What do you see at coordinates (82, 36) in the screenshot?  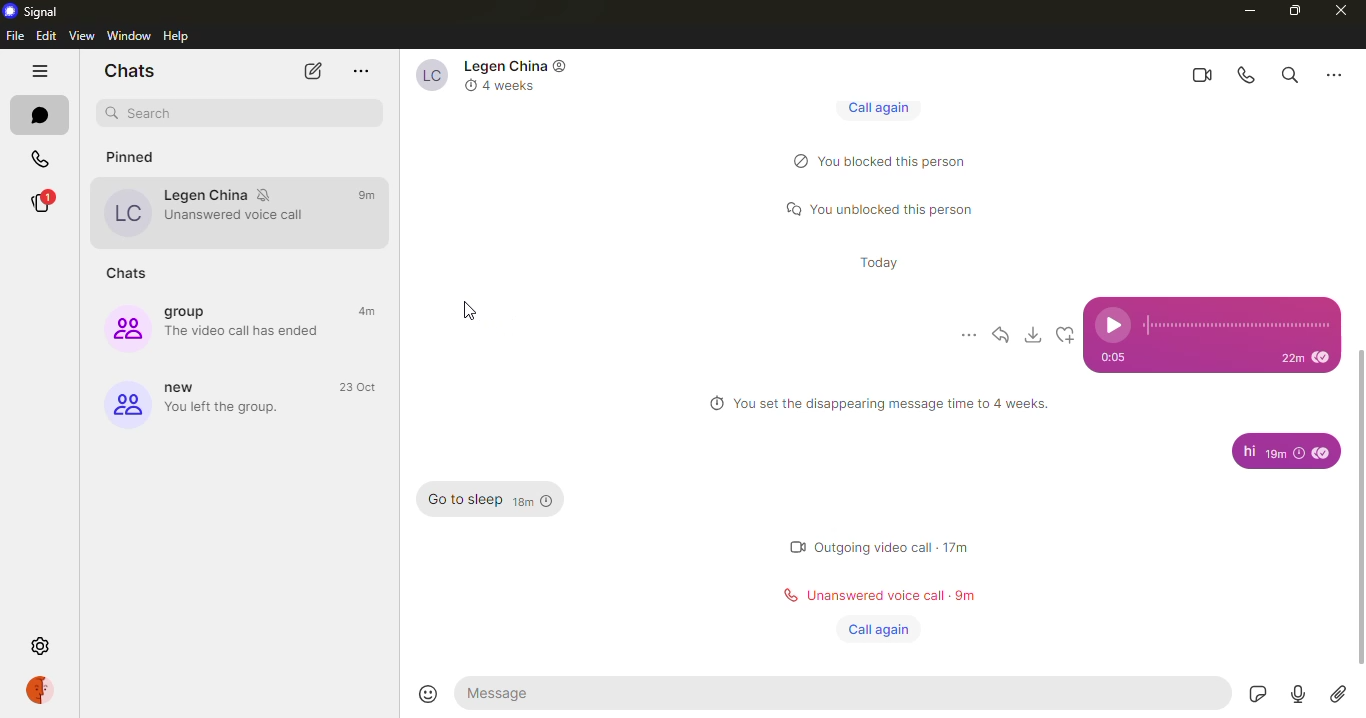 I see `view` at bounding box center [82, 36].